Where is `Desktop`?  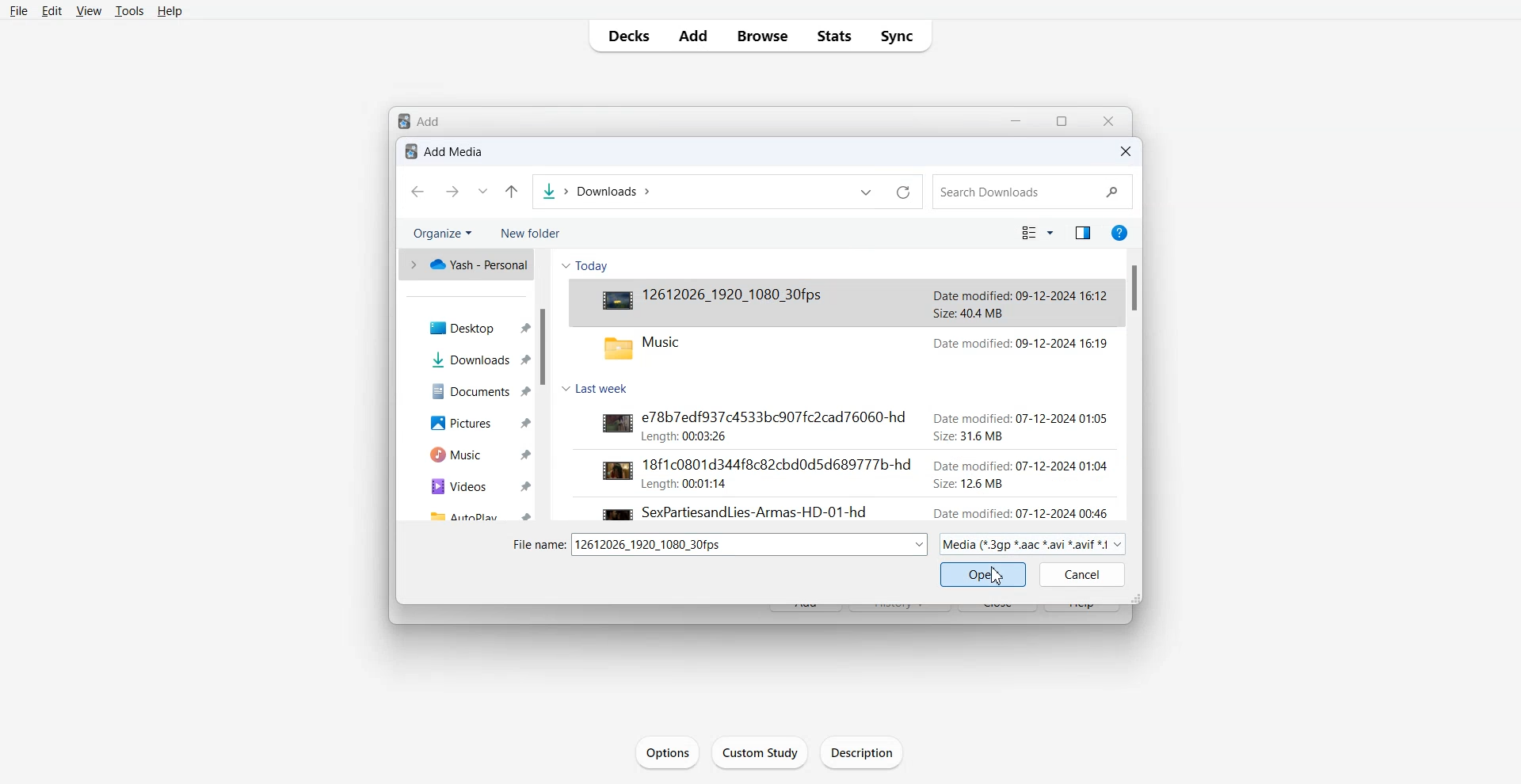 Desktop is located at coordinates (473, 325).